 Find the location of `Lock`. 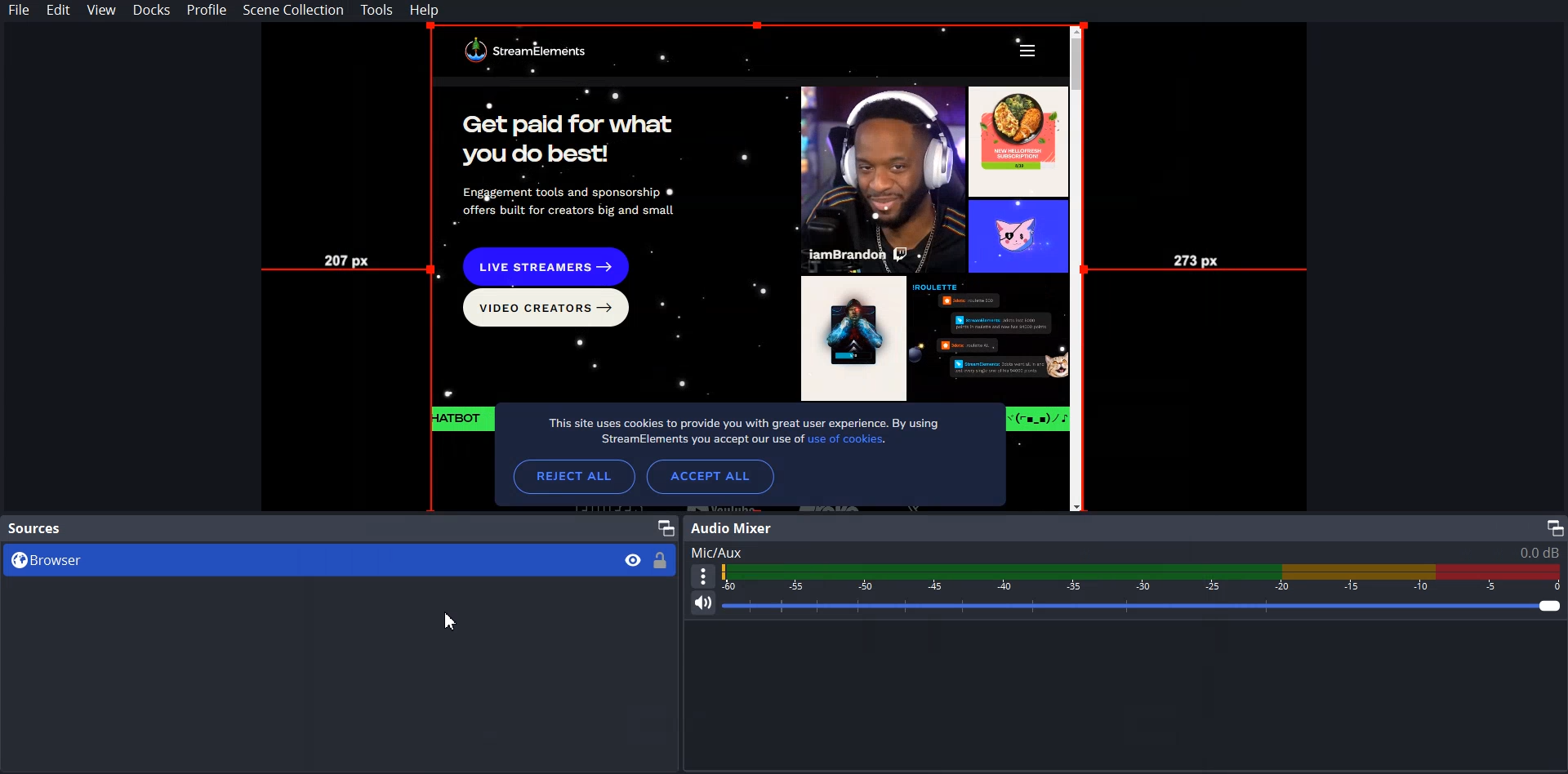

Lock is located at coordinates (661, 559).